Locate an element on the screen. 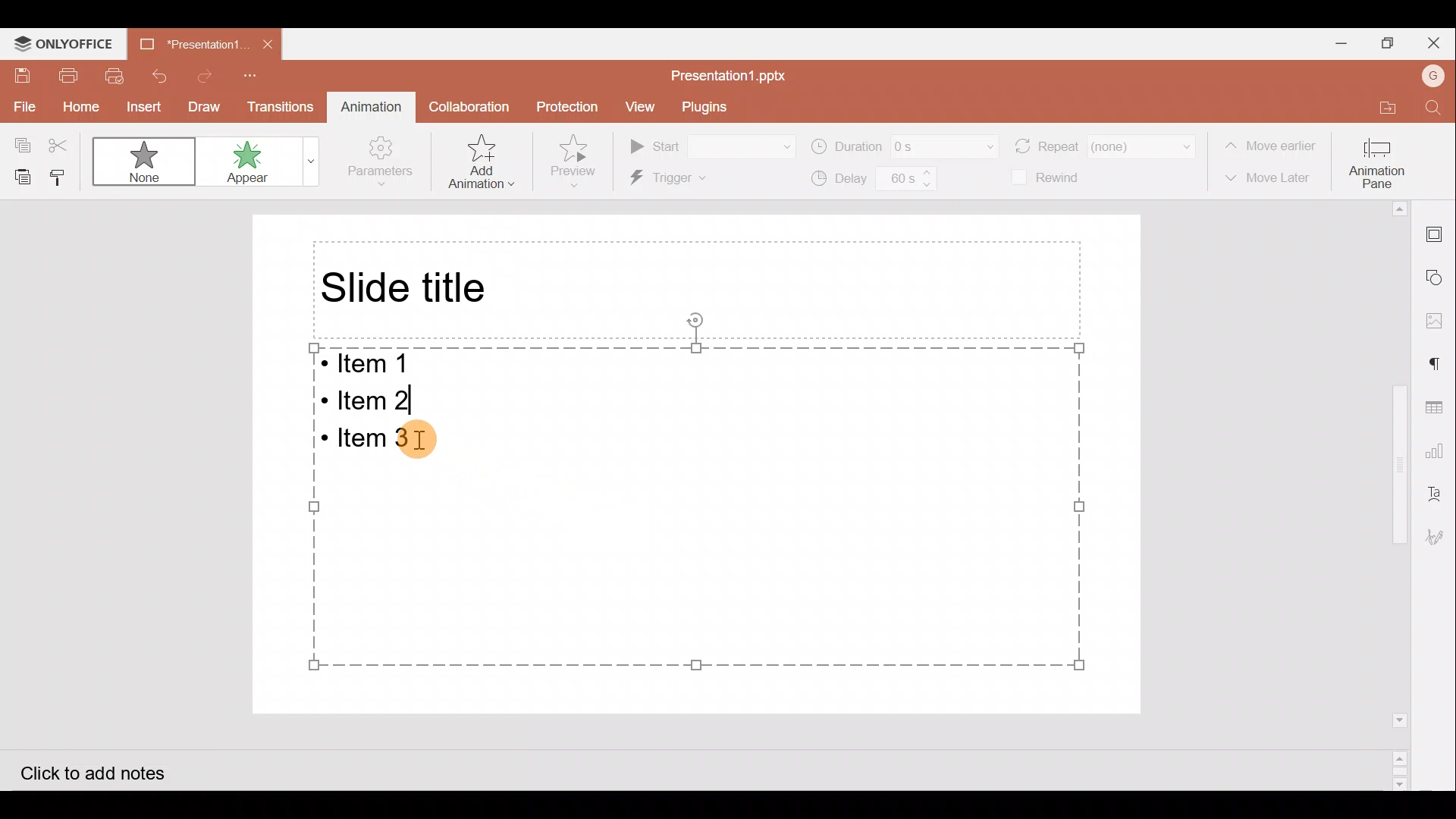 The image size is (1456, 819). Parameters is located at coordinates (385, 162).